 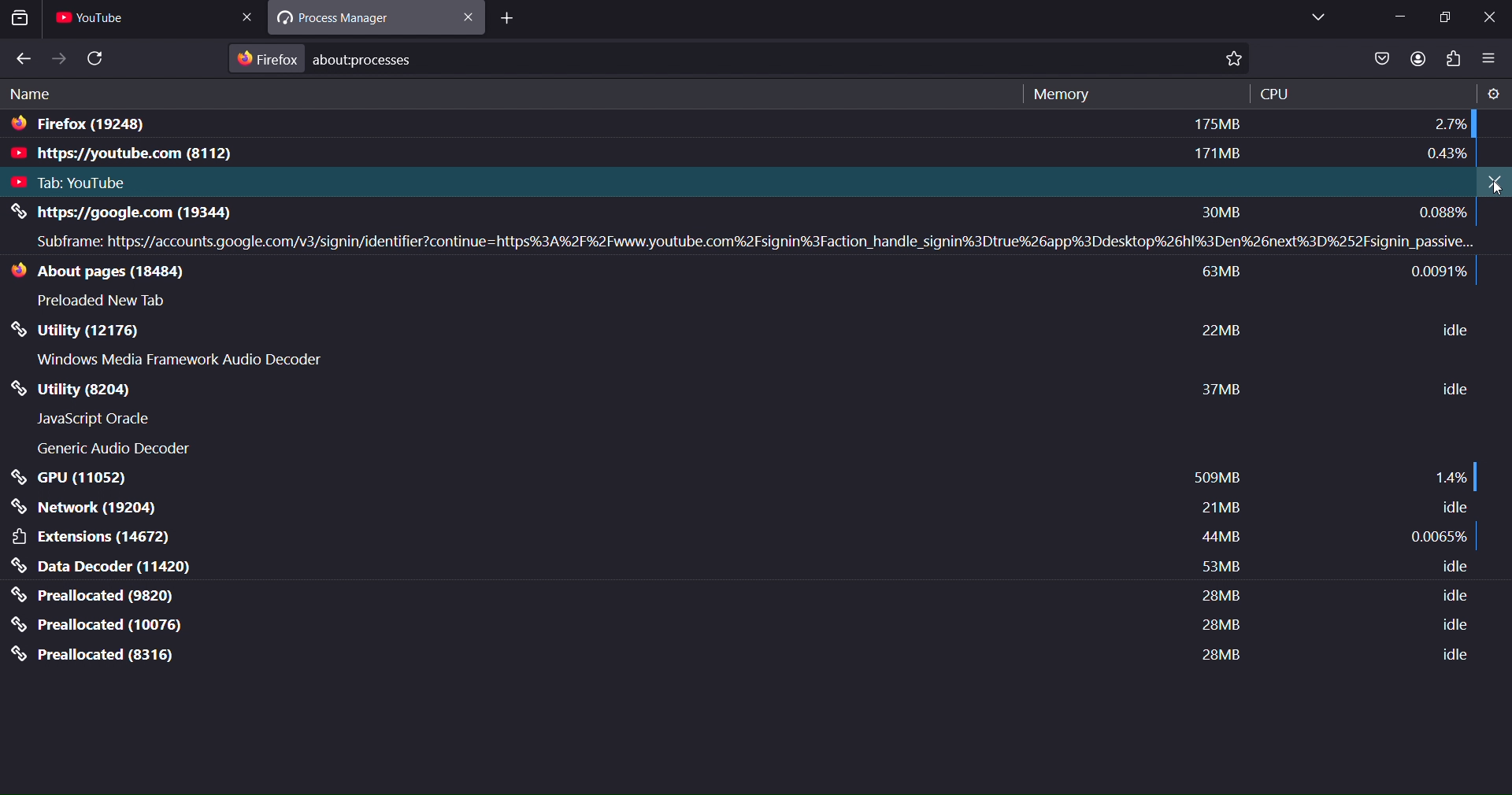 What do you see at coordinates (1414, 58) in the screenshot?
I see `account` at bounding box center [1414, 58].